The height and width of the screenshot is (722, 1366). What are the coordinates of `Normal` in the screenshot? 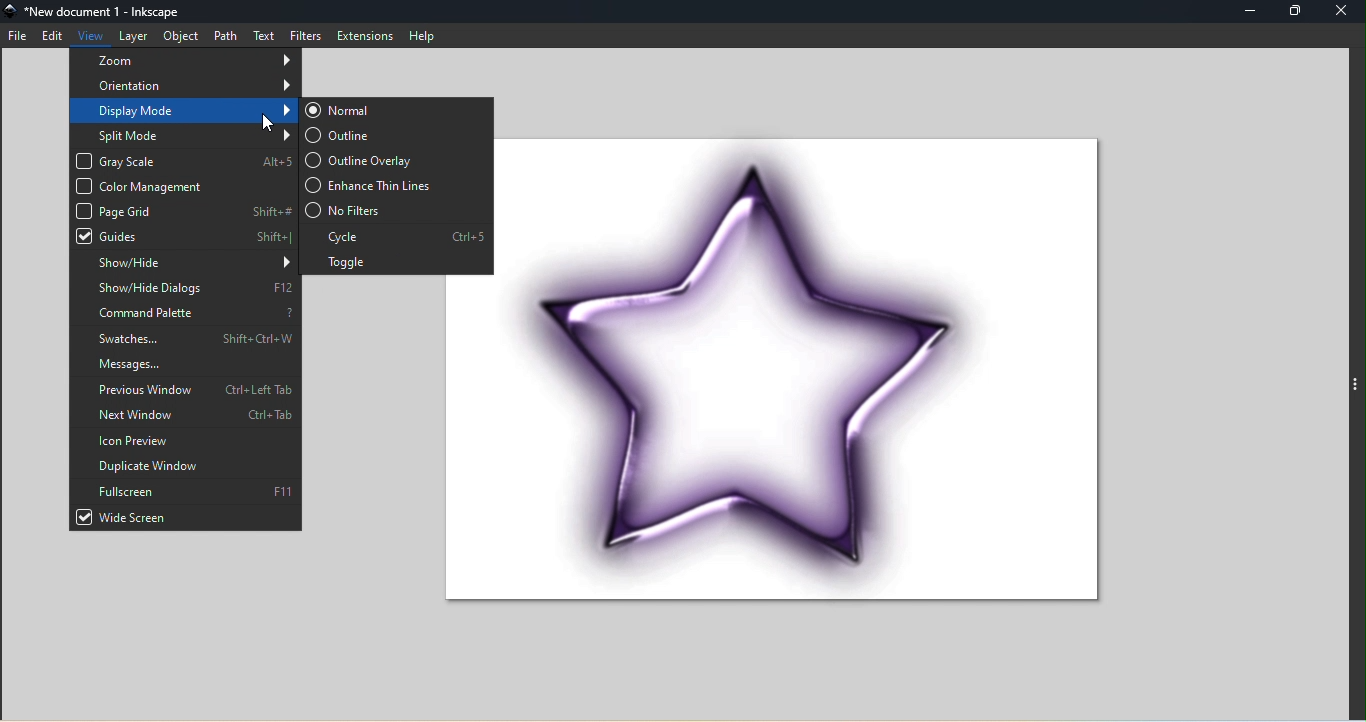 It's located at (397, 109).